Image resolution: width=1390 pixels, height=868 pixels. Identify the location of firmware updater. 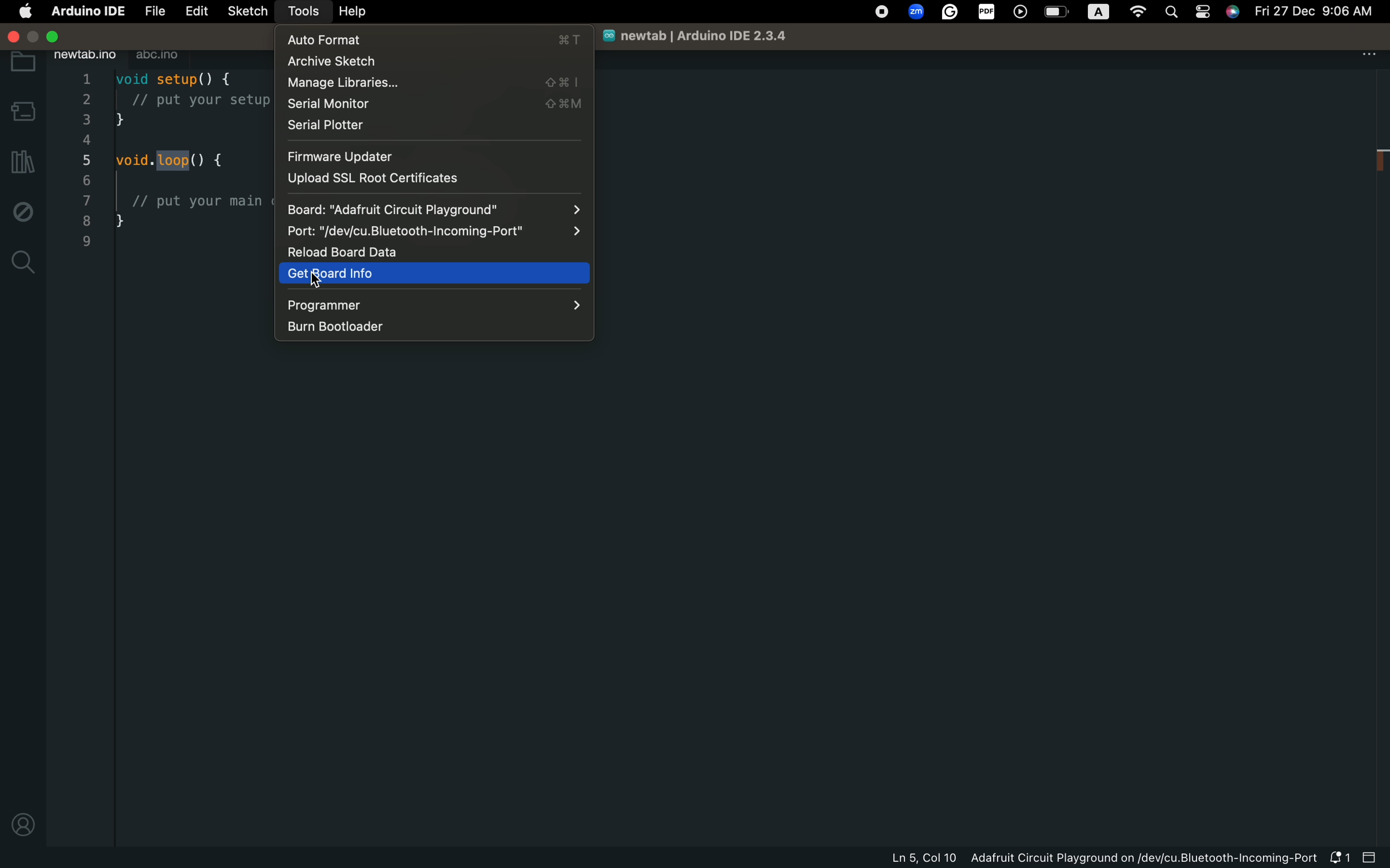
(347, 155).